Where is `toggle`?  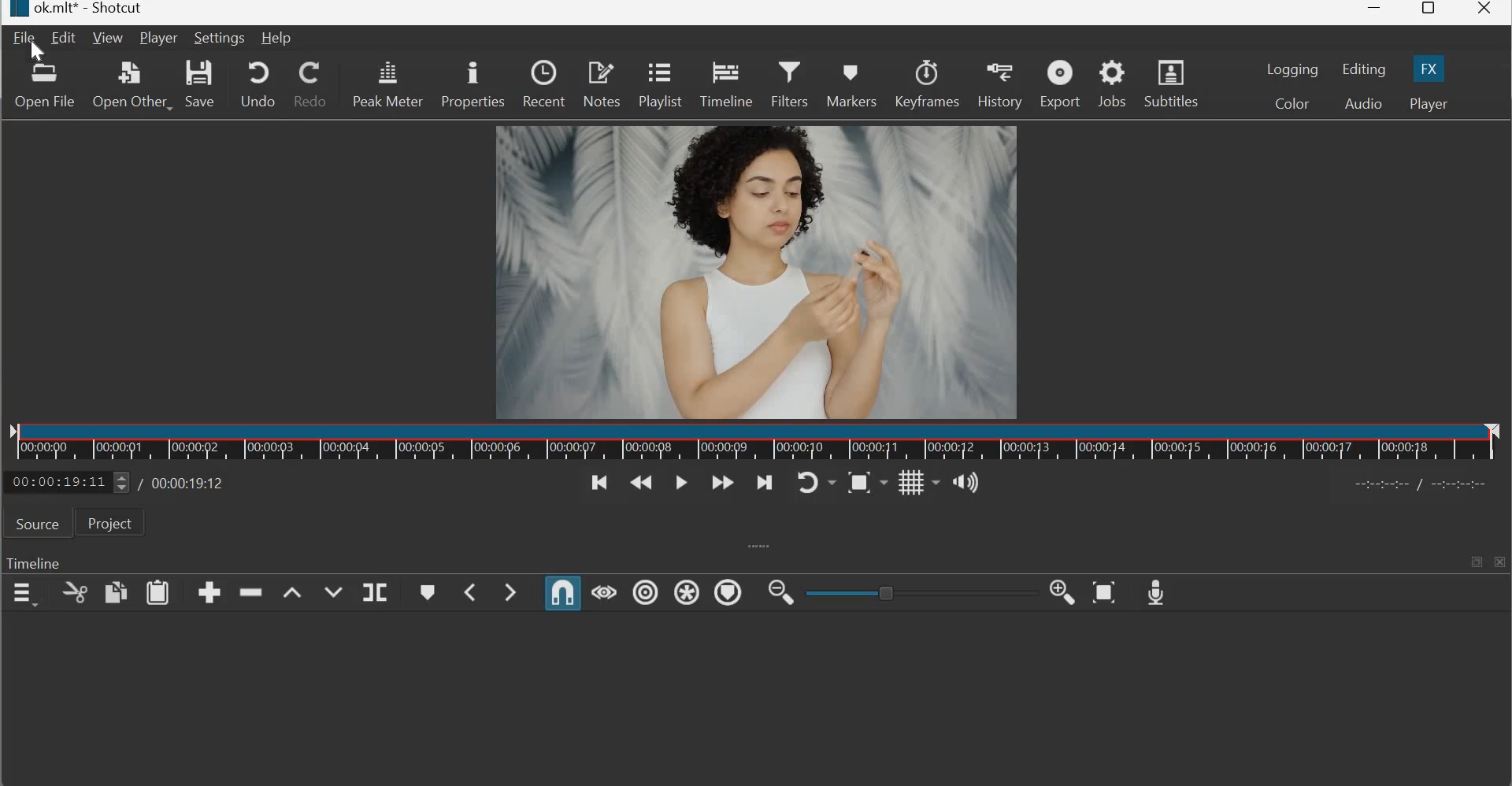
toggle is located at coordinates (913, 591).